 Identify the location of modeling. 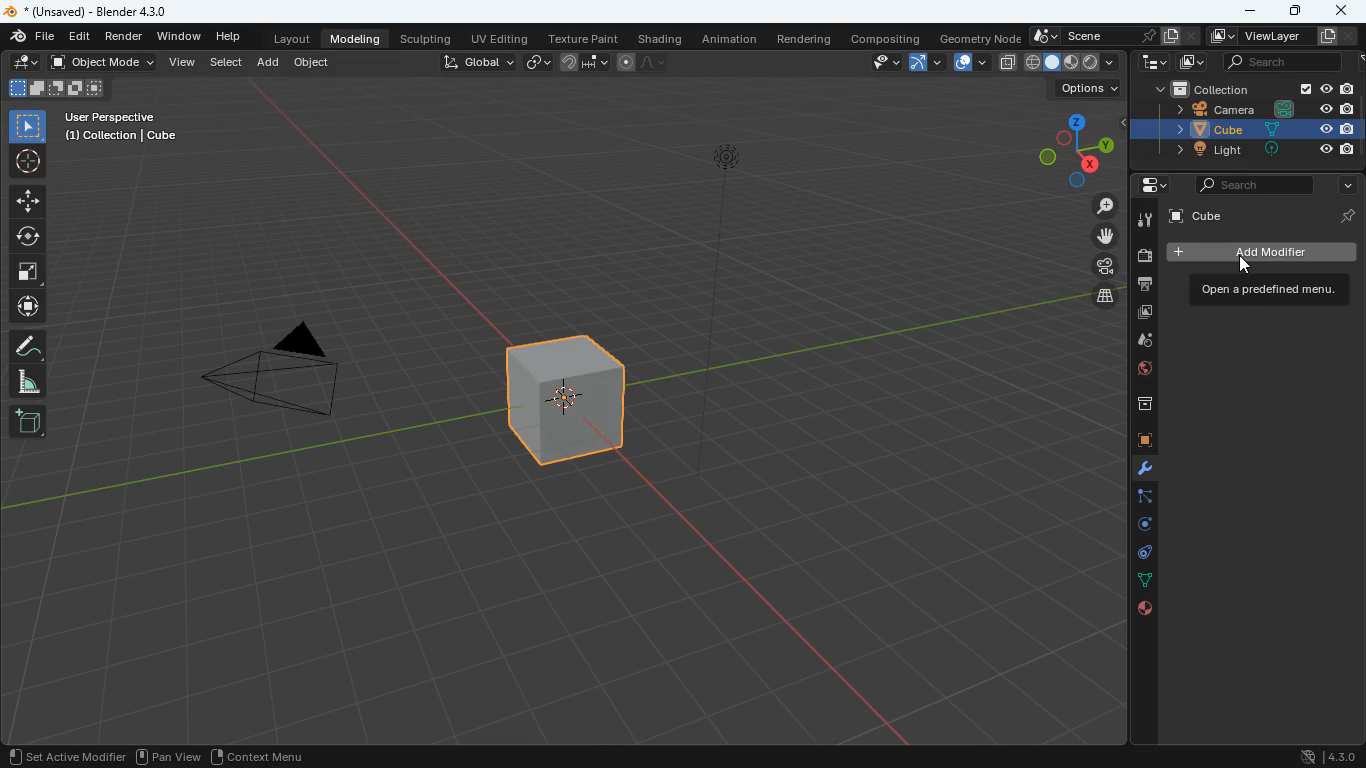
(356, 38).